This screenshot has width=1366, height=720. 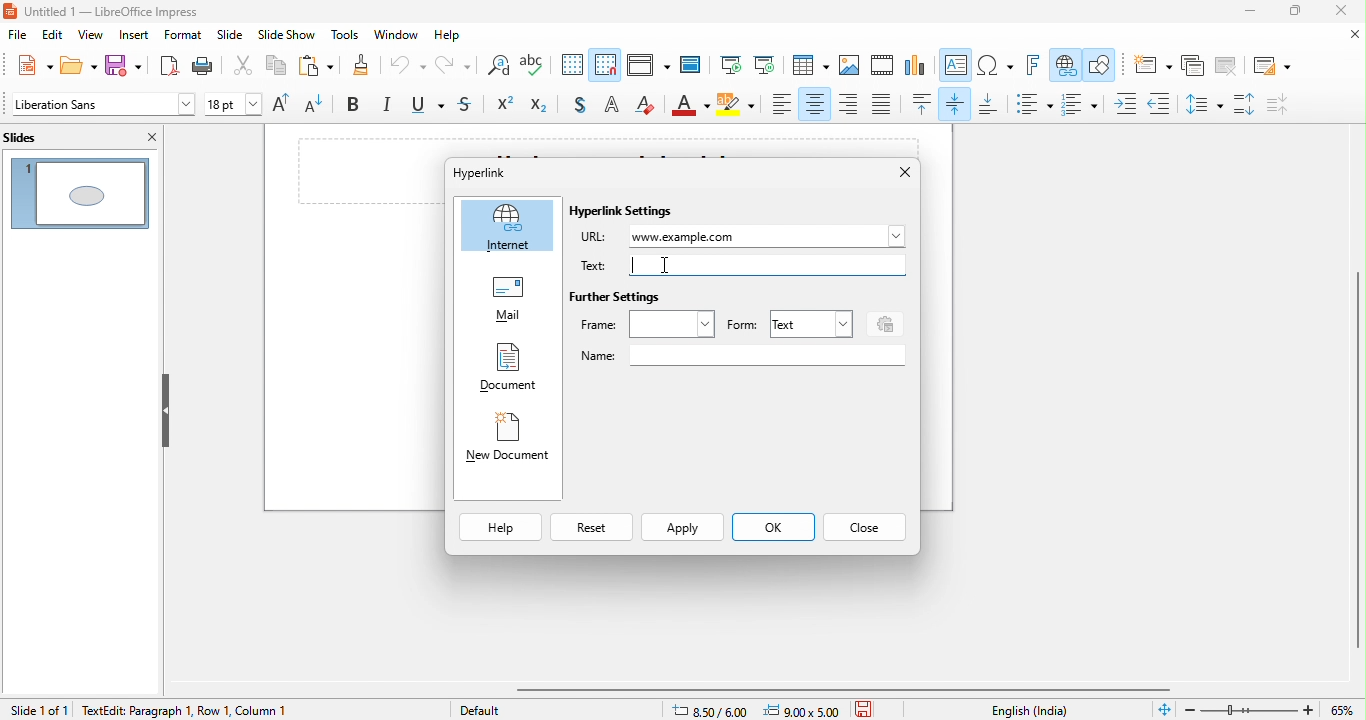 I want to click on save, so click(x=123, y=67).